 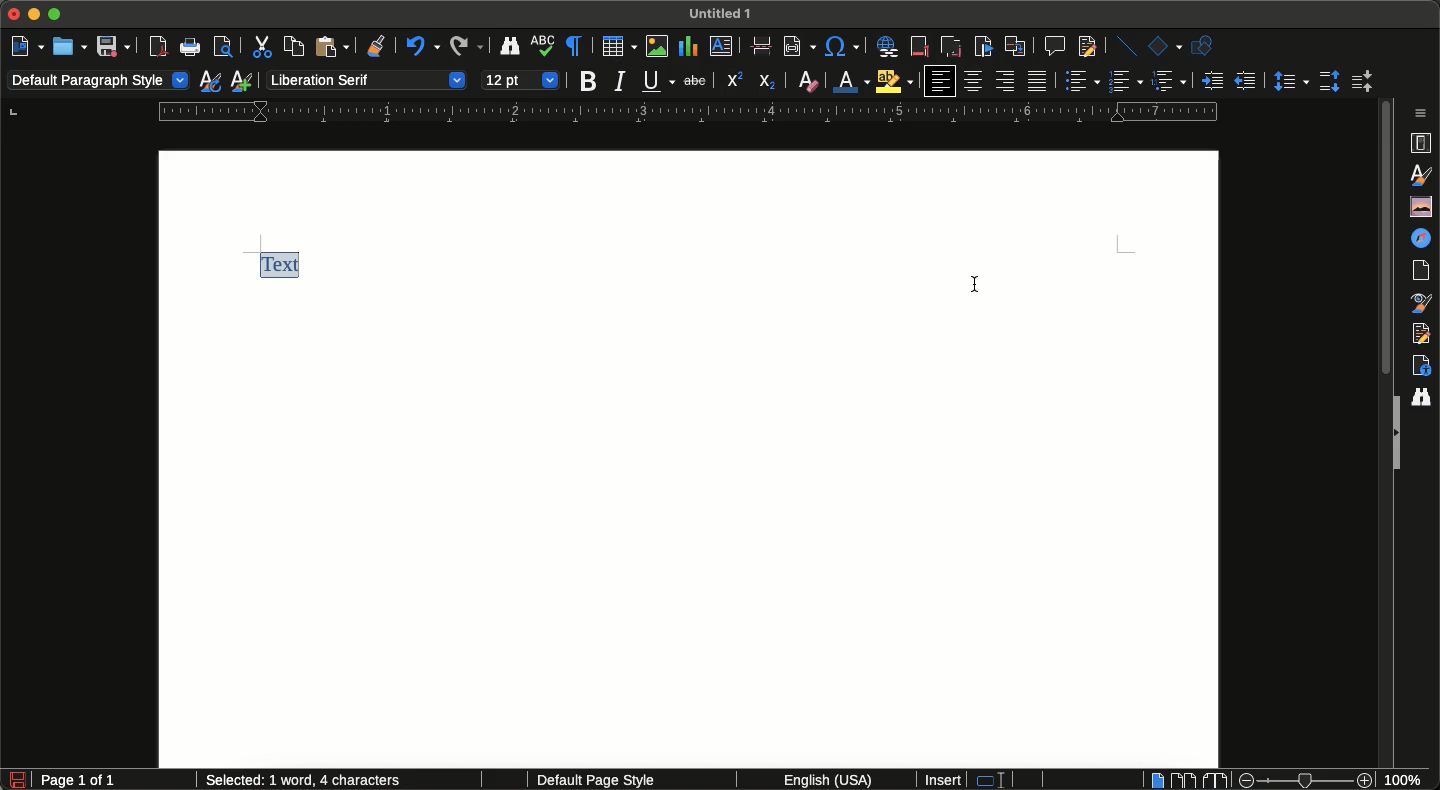 I want to click on English (USA), so click(x=820, y=780).